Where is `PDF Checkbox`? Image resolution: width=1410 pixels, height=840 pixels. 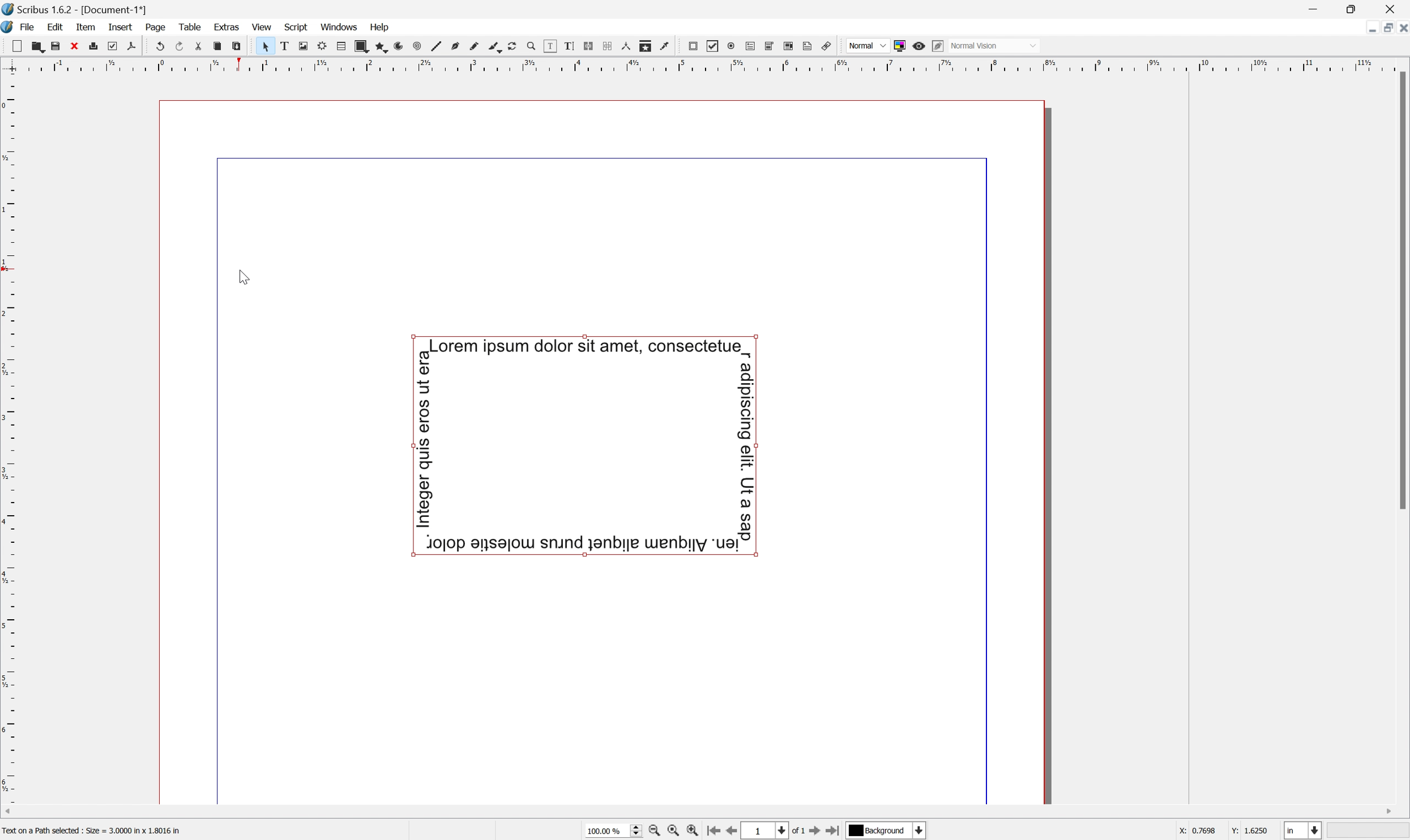
PDF Checkbox is located at coordinates (713, 46).